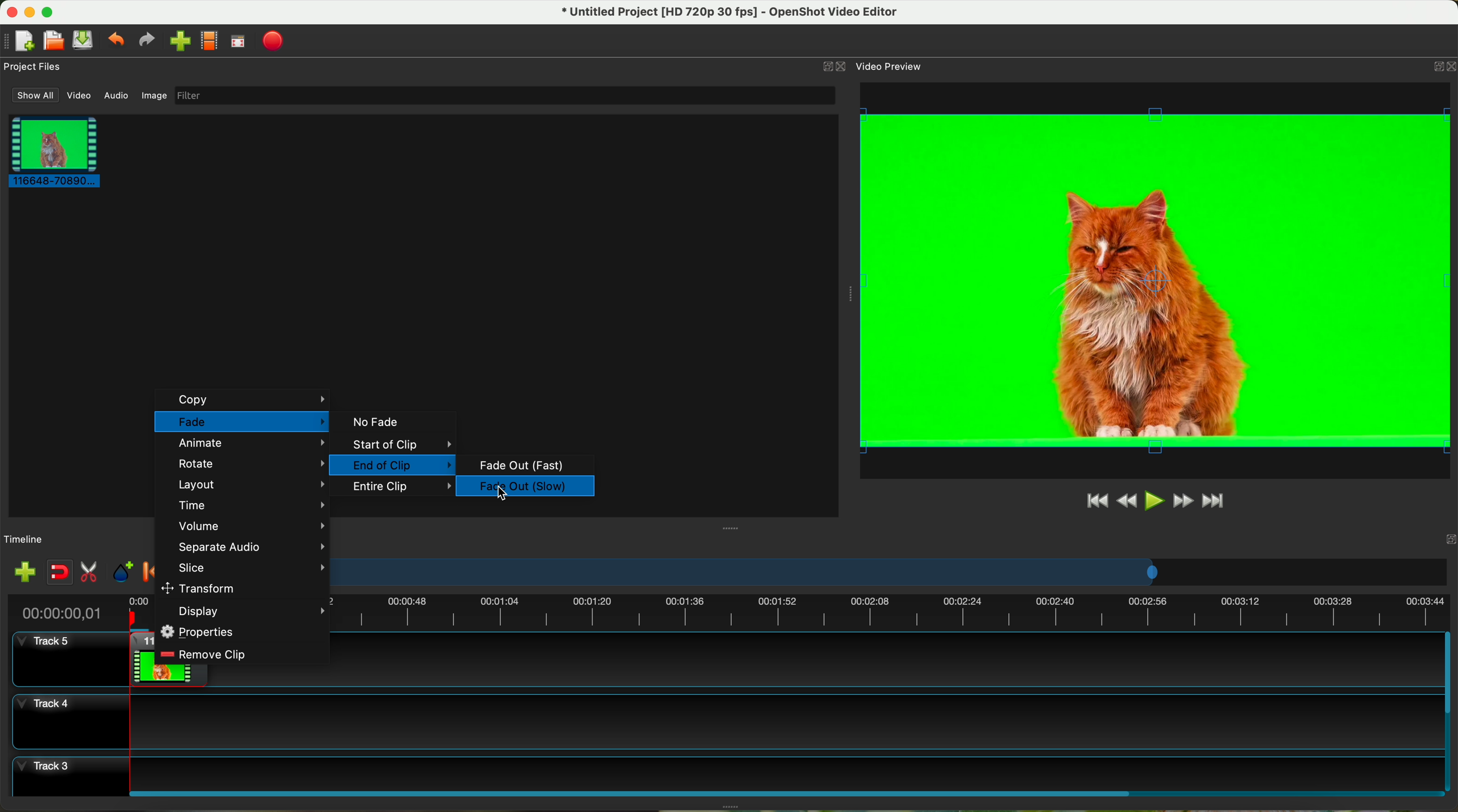  Describe the element at coordinates (33, 95) in the screenshot. I see `show all` at that location.